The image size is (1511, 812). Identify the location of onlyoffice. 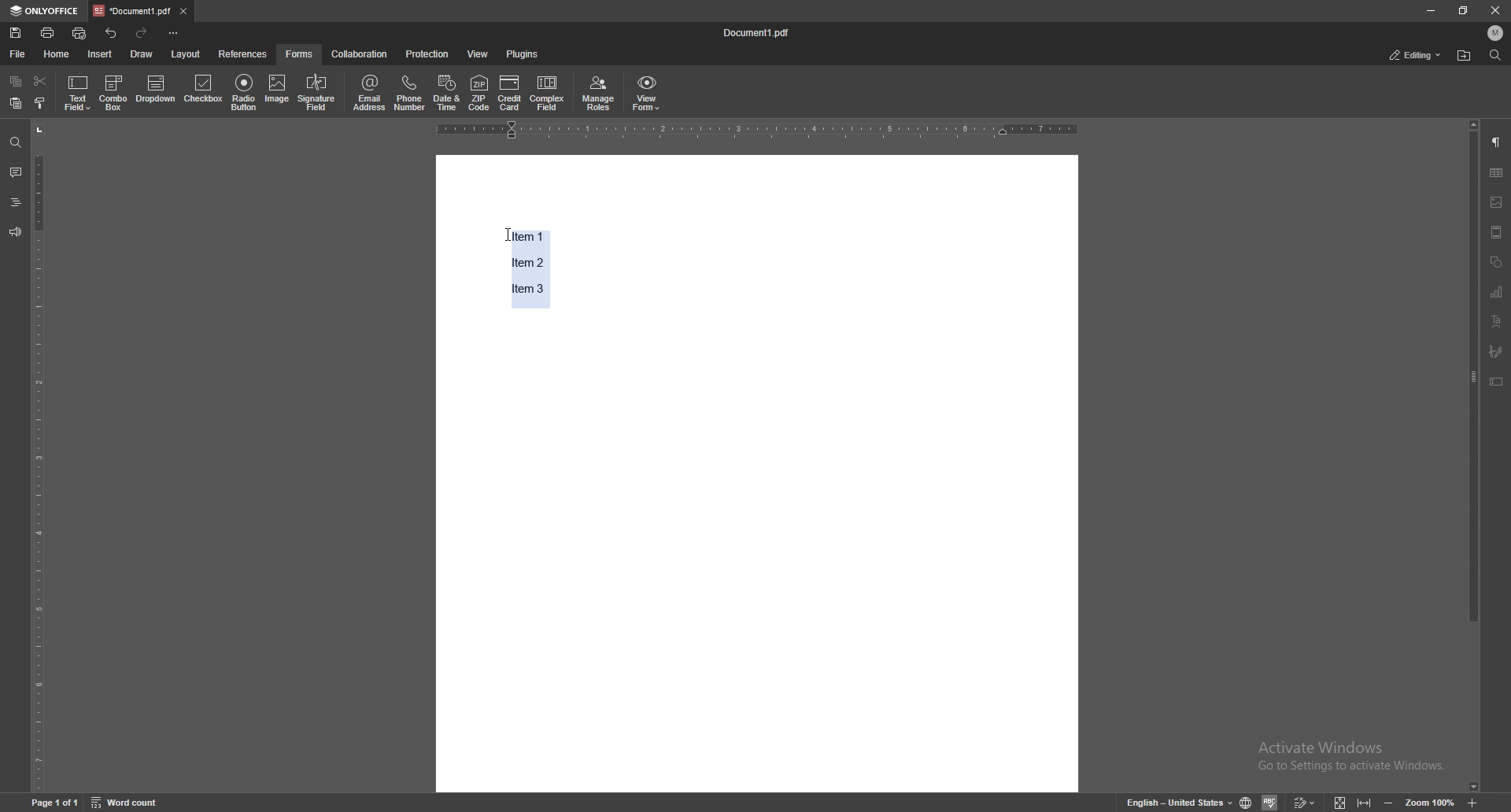
(46, 10).